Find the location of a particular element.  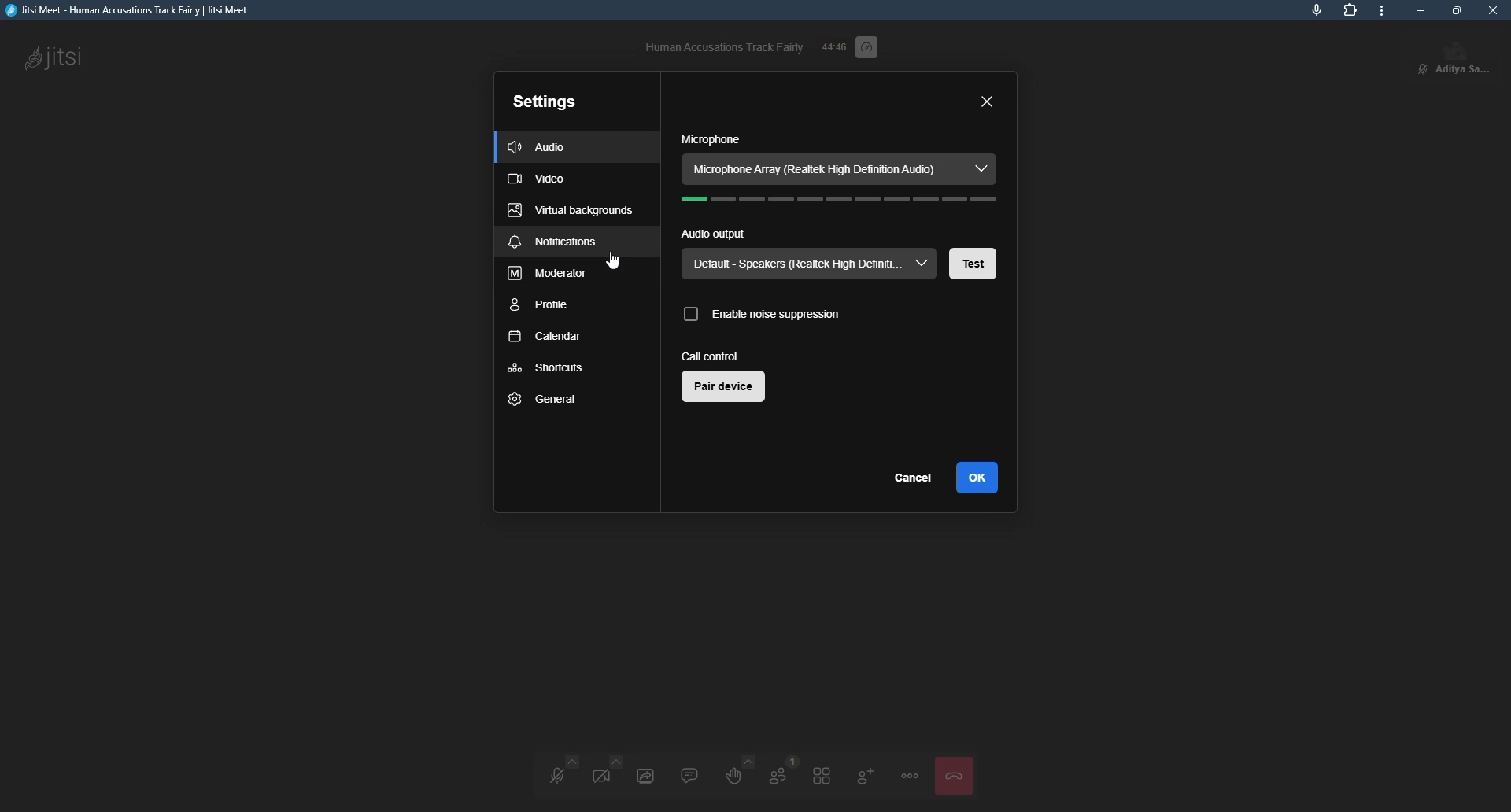

virtual backgrounds is located at coordinates (569, 211).